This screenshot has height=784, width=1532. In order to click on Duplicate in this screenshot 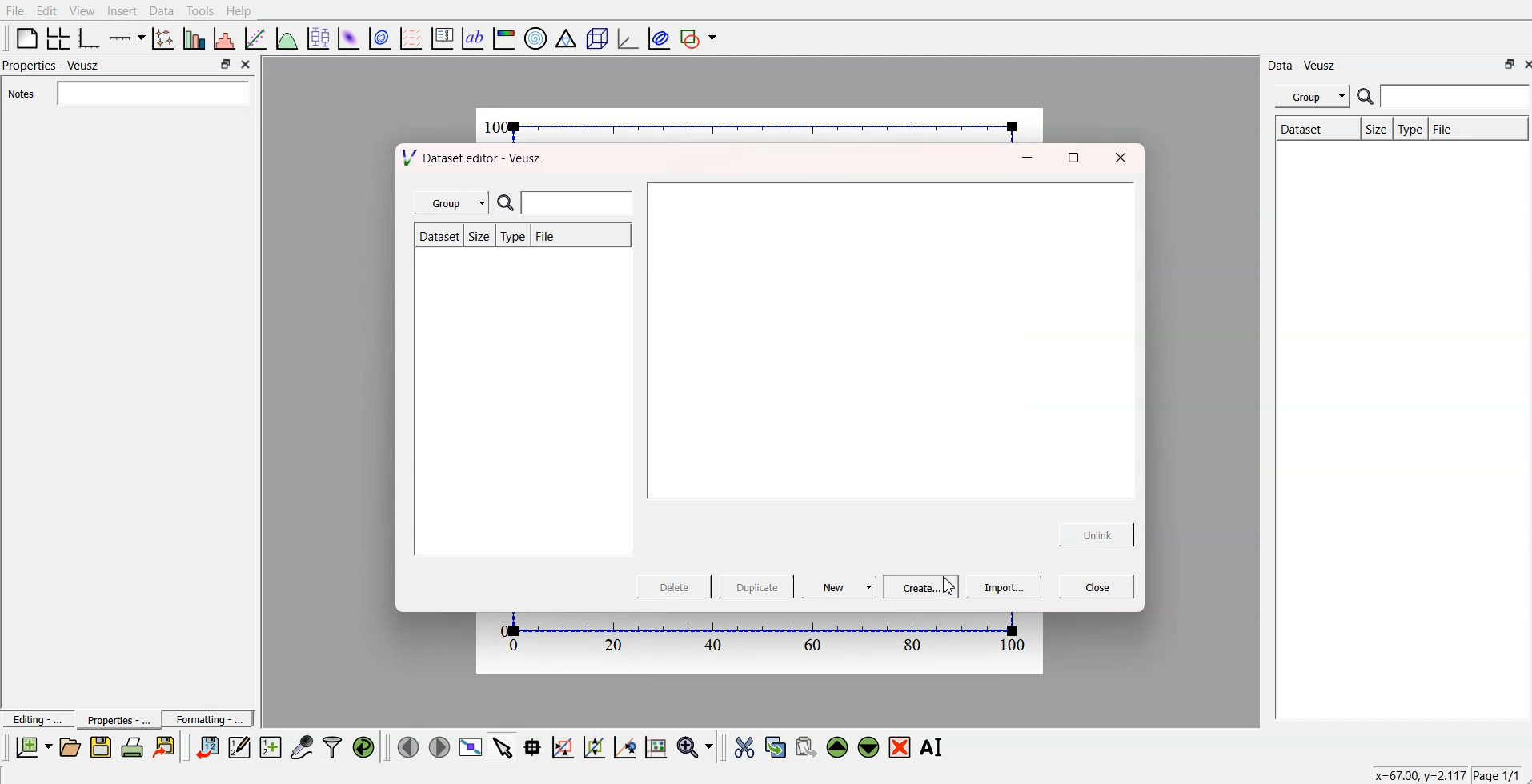, I will do `click(756, 587)`.